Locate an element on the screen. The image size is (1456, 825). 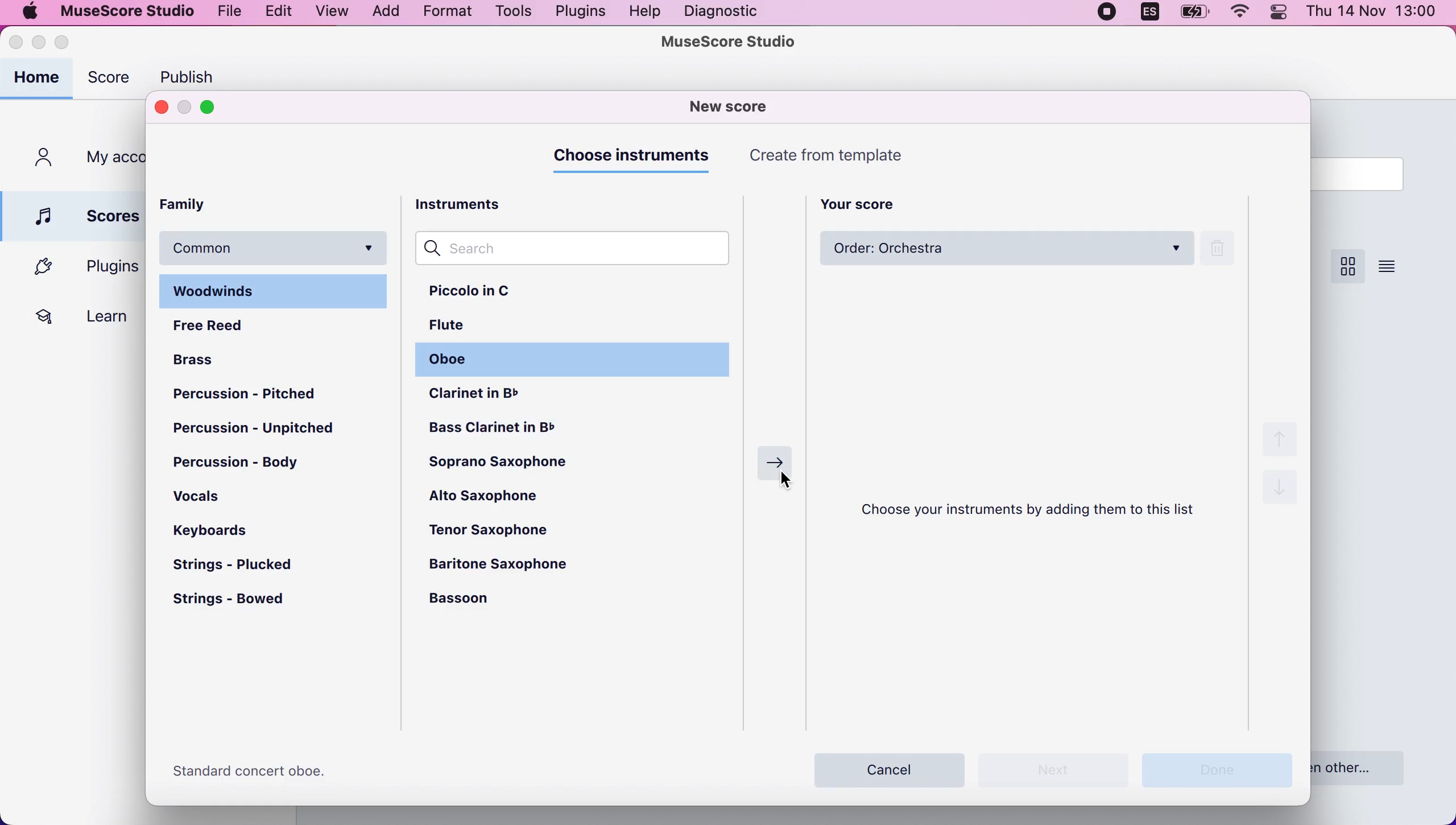
musescore studio is located at coordinates (123, 11).